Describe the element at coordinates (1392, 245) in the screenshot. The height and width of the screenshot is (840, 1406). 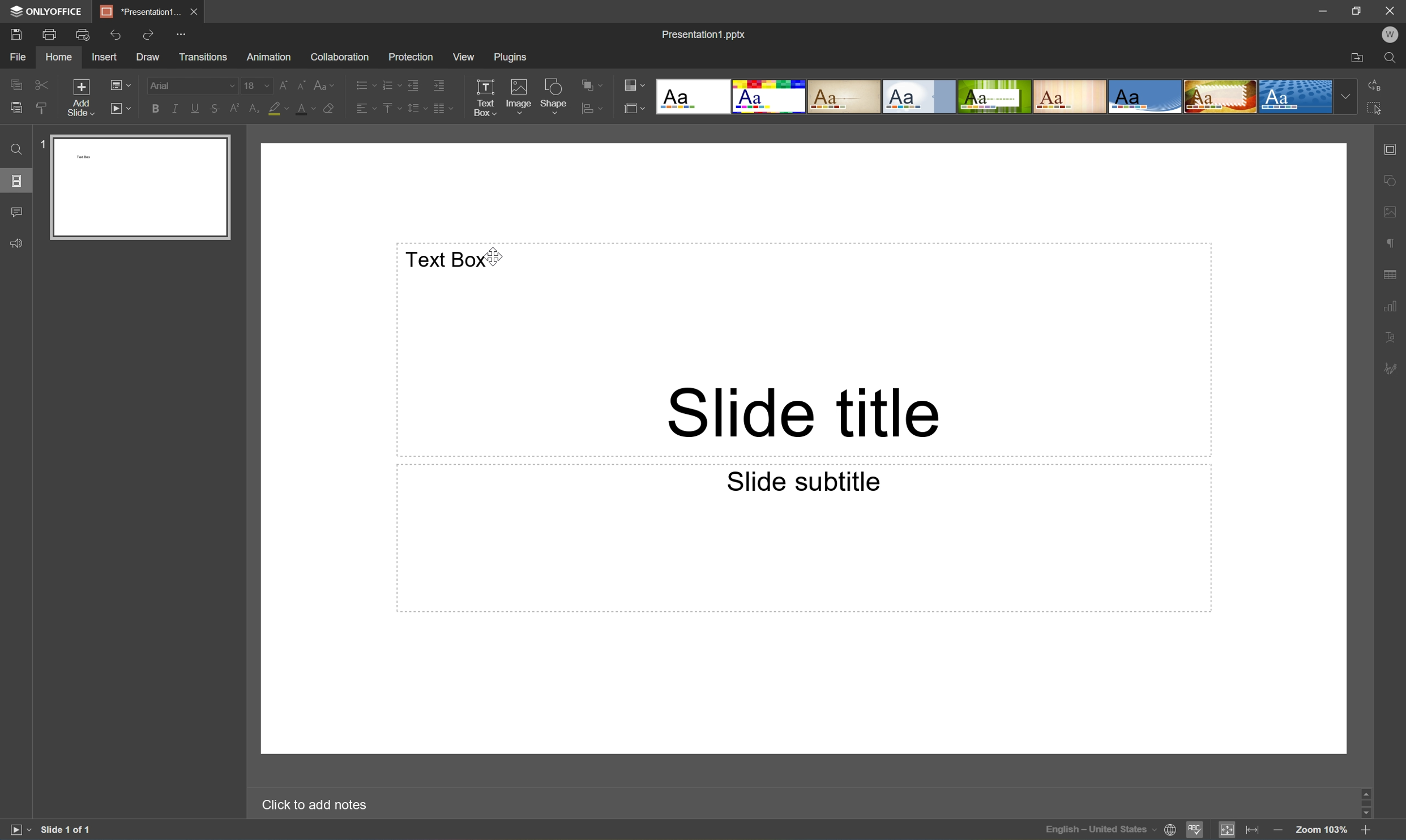
I see `Paragraph settings` at that location.